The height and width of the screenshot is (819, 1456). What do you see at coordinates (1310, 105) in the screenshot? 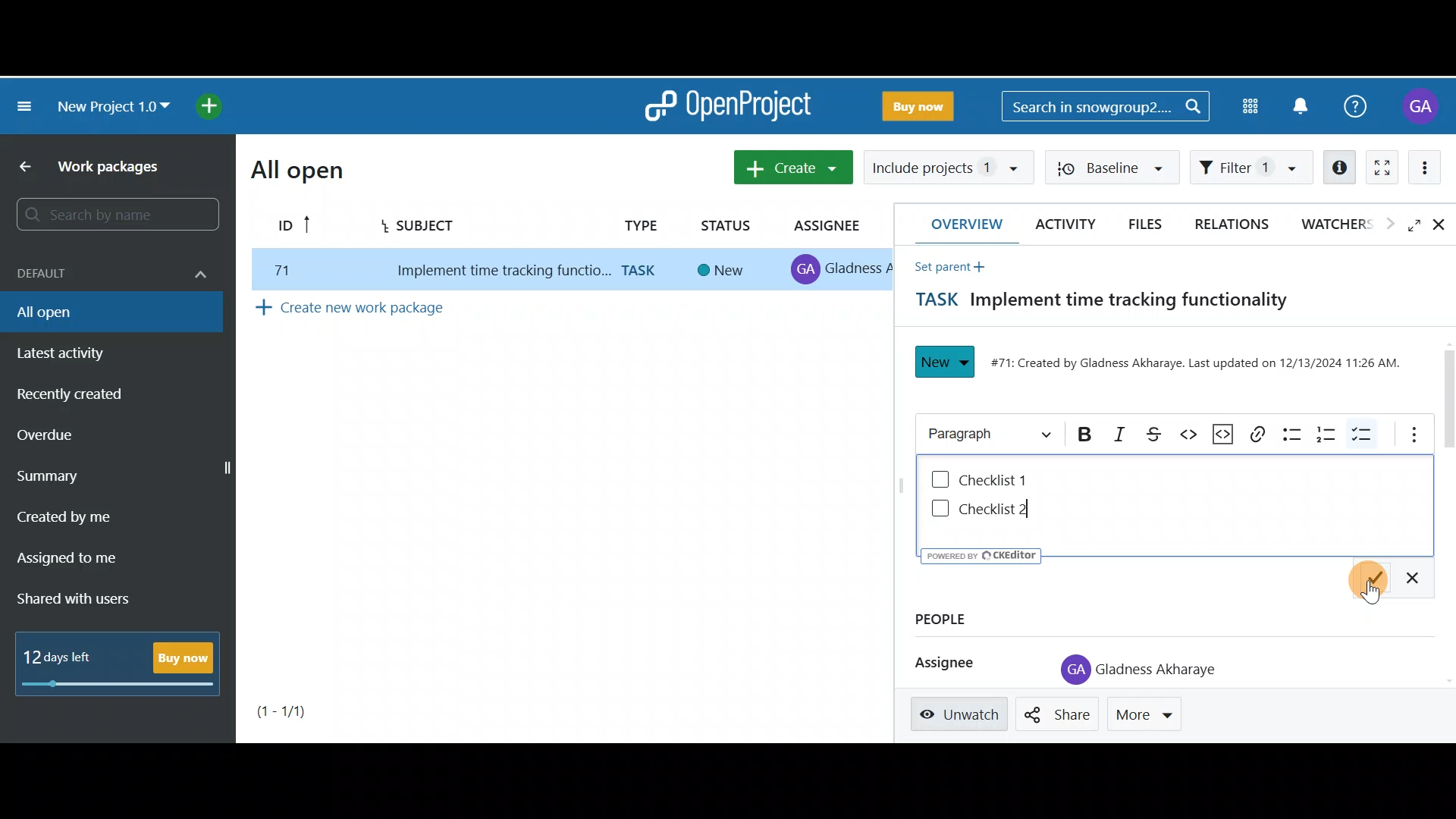
I see `Notification centre` at bounding box center [1310, 105].